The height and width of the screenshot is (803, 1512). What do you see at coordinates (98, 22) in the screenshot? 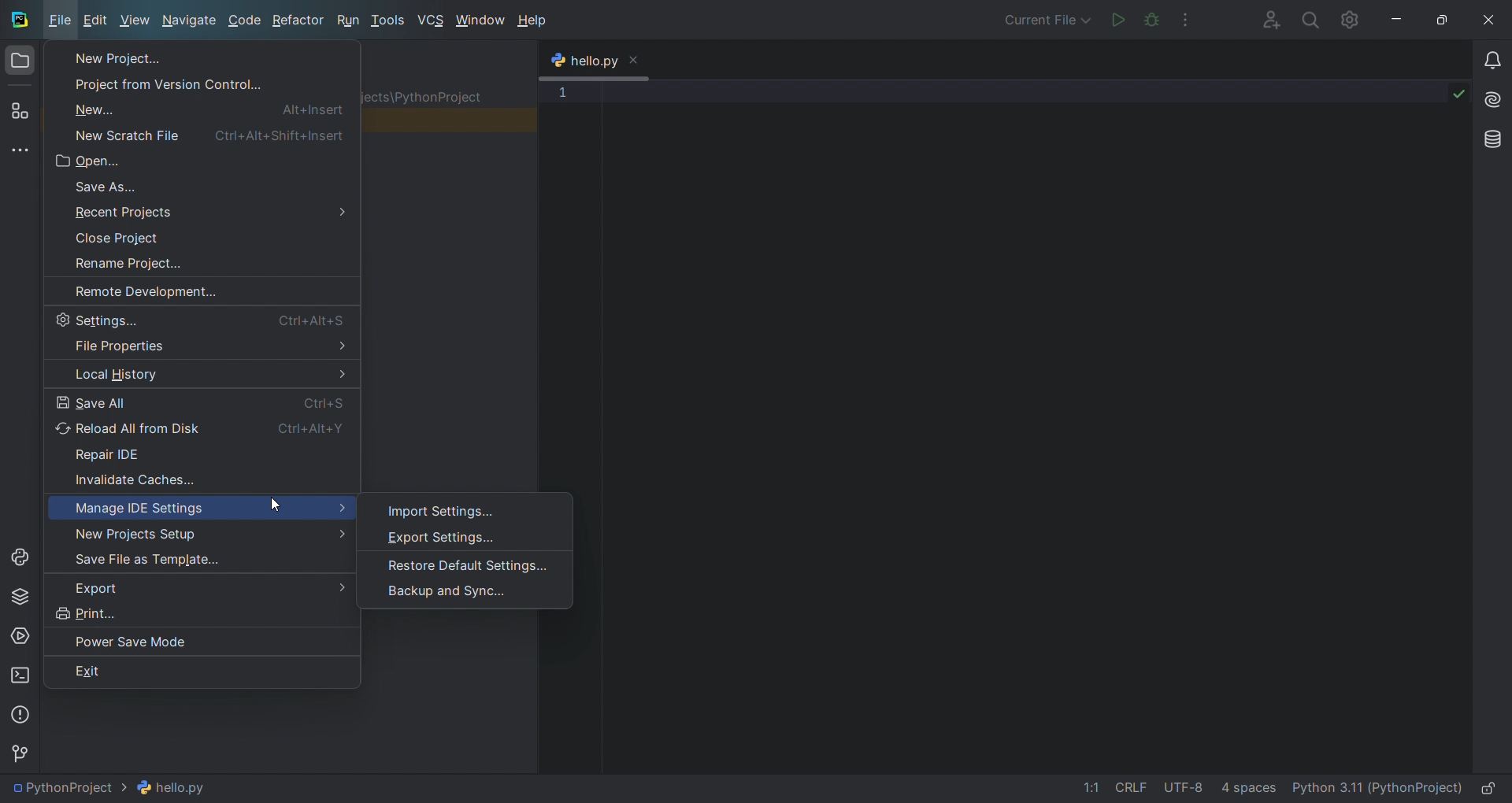
I see `edit` at bounding box center [98, 22].